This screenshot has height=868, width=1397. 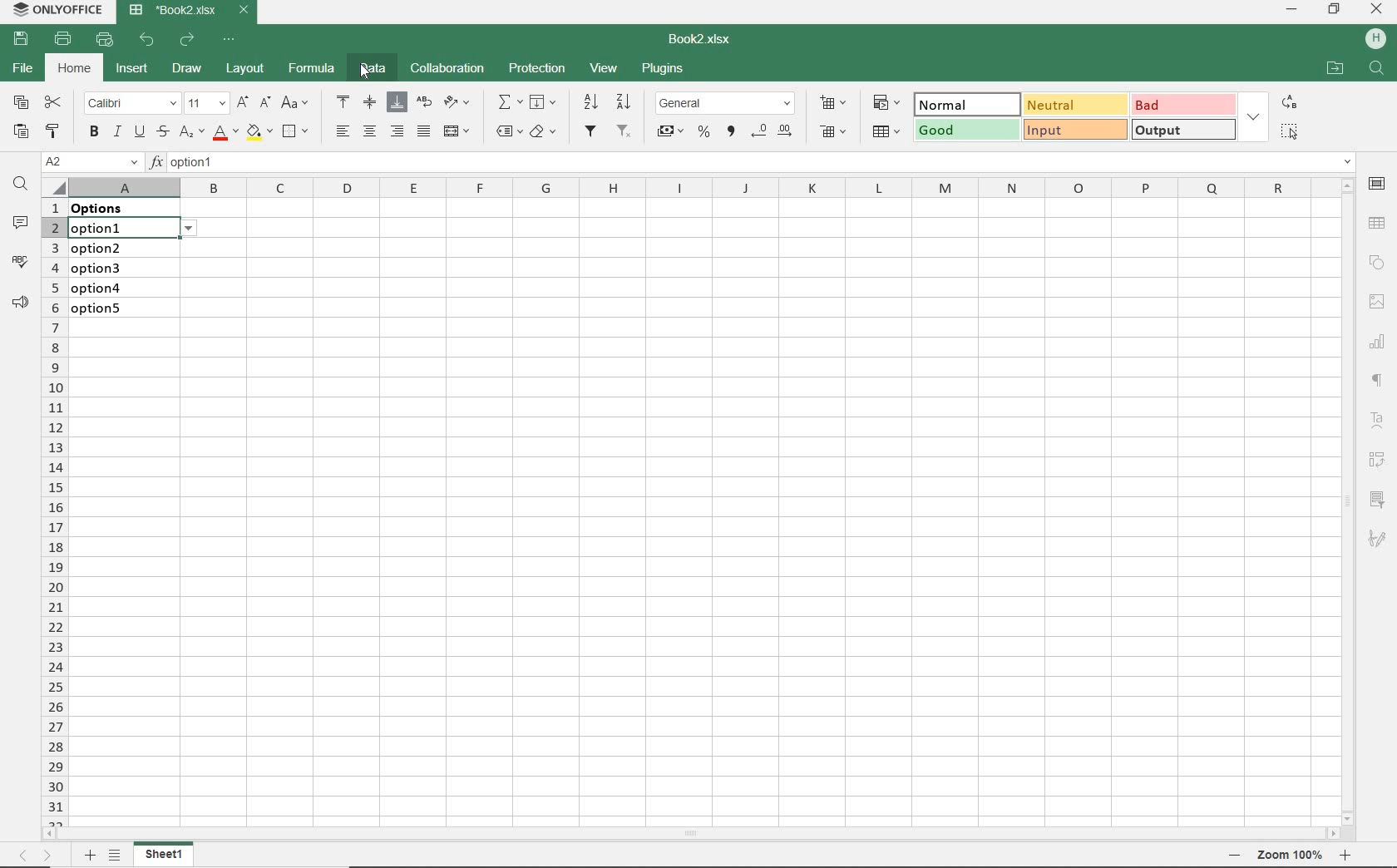 What do you see at coordinates (964, 104) in the screenshot?
I see `NORMAL` at bounding box center [964, 104].